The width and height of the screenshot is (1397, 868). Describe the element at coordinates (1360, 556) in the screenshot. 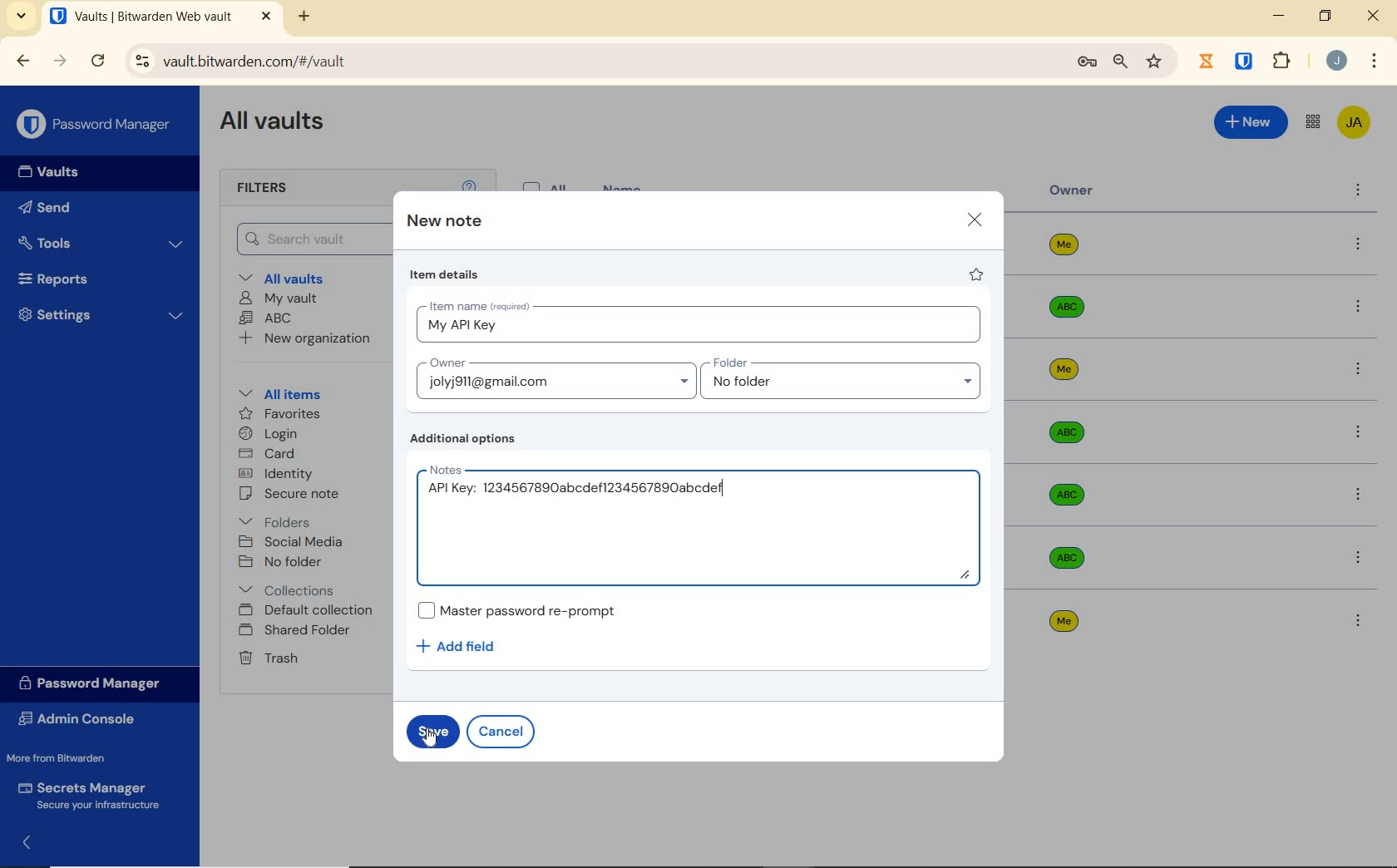

I see `more options` at that location.